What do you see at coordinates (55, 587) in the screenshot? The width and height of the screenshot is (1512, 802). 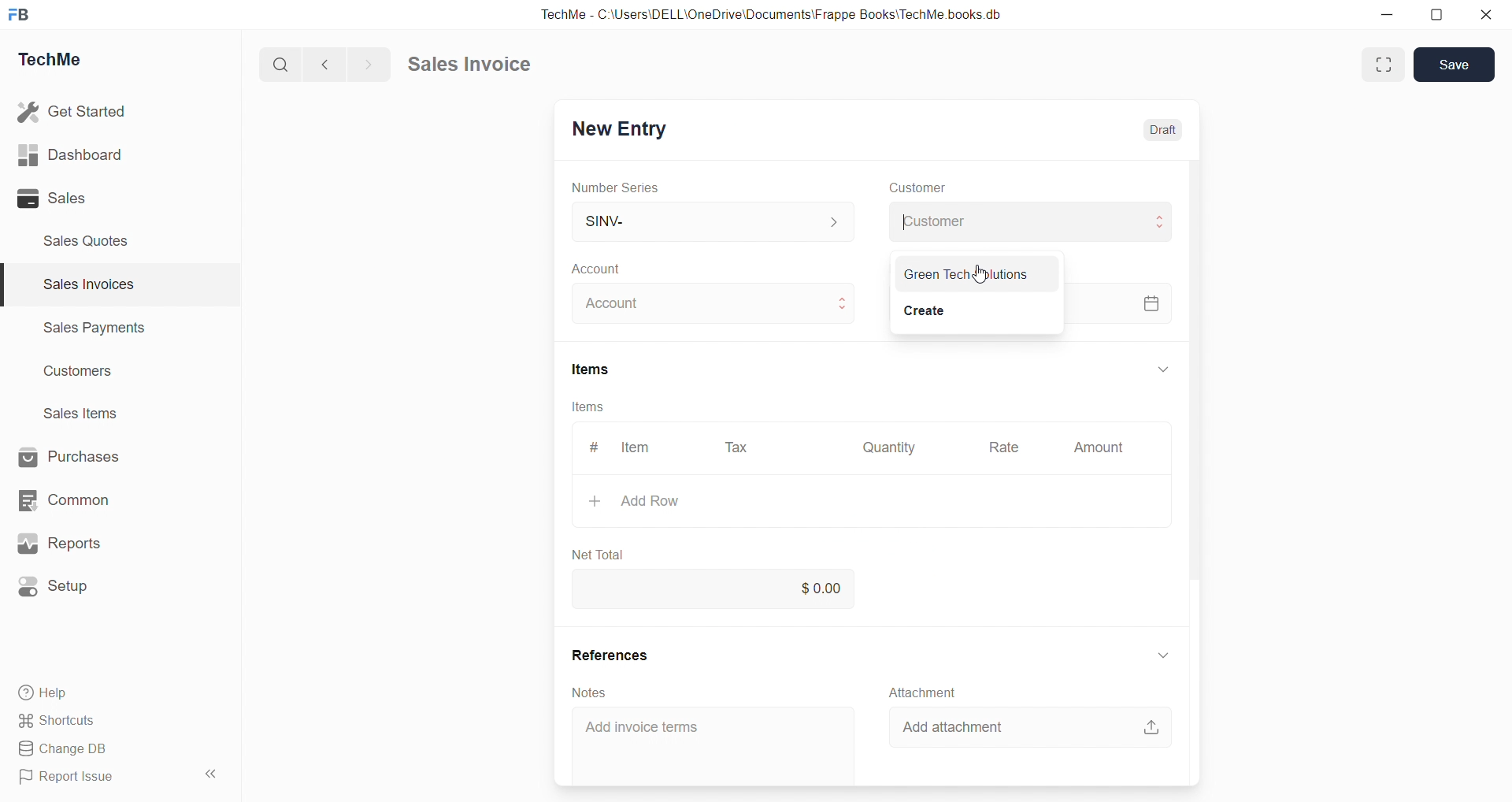 I see `Setup` at bounding box center [55, 587].